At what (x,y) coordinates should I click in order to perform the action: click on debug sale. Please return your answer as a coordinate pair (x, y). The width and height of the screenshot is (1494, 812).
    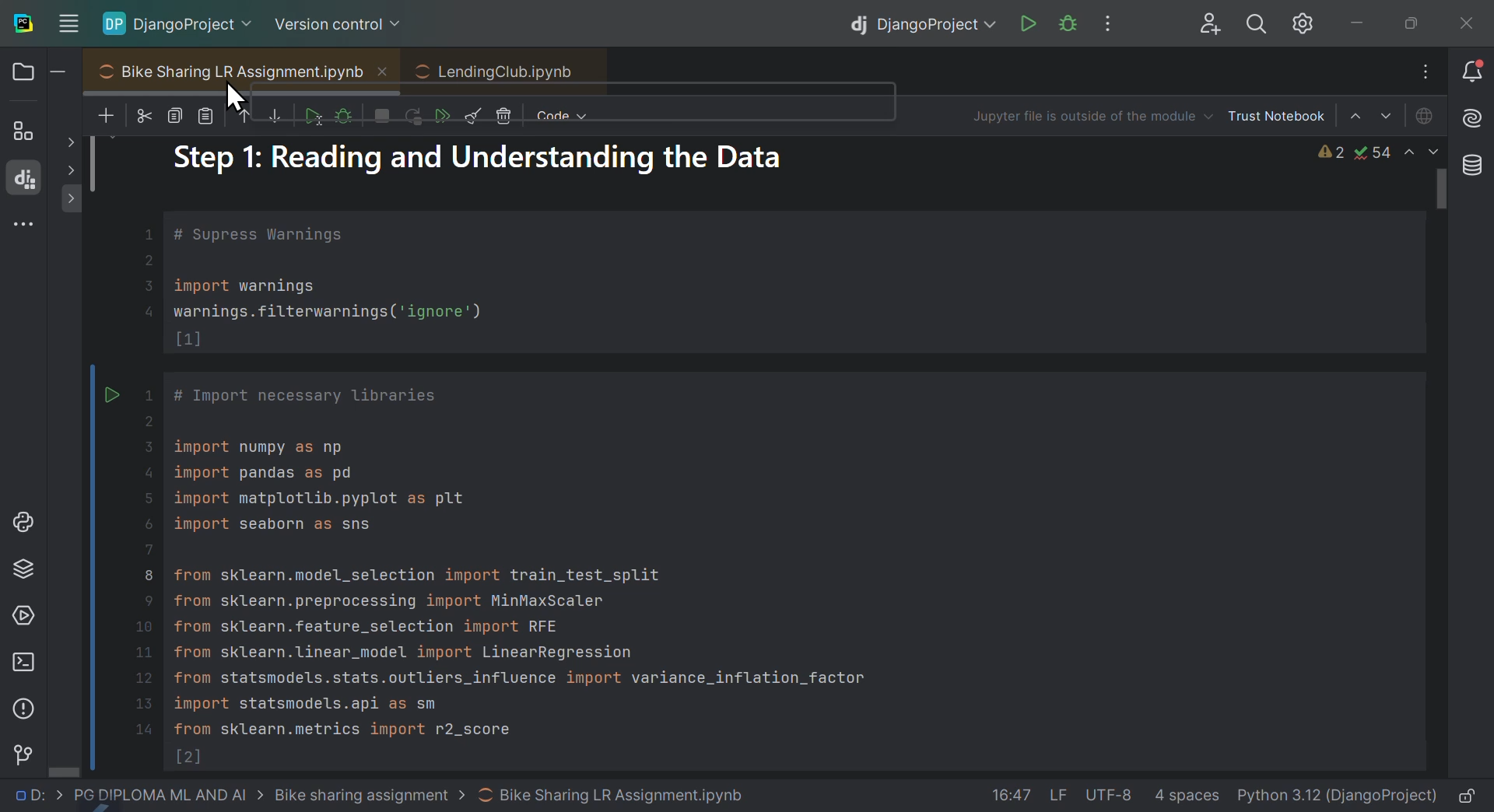
    Looking at the image, I should click on (348, 115).